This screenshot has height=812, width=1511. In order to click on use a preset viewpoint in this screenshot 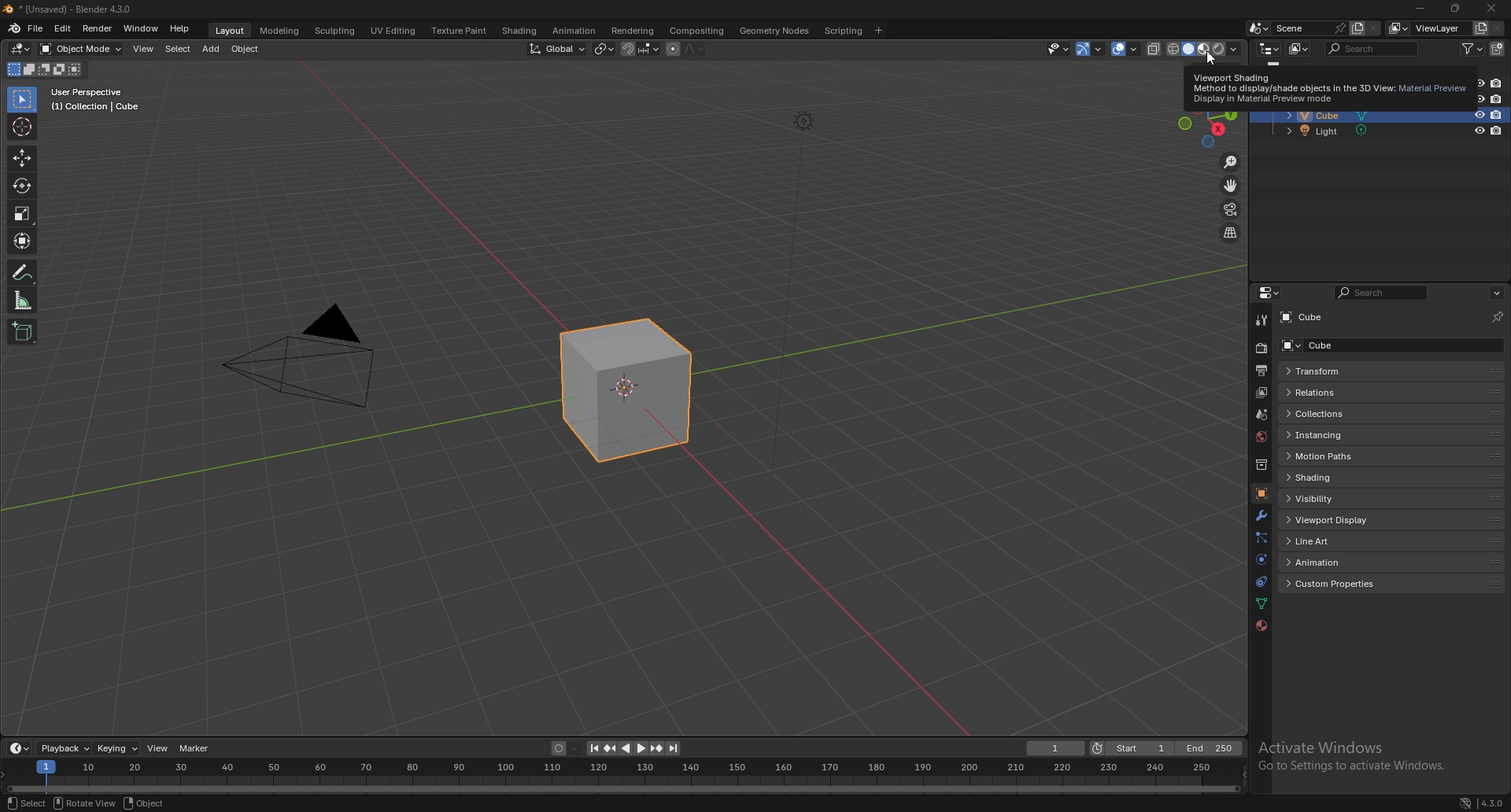, I will do `click(1210, 133)`.